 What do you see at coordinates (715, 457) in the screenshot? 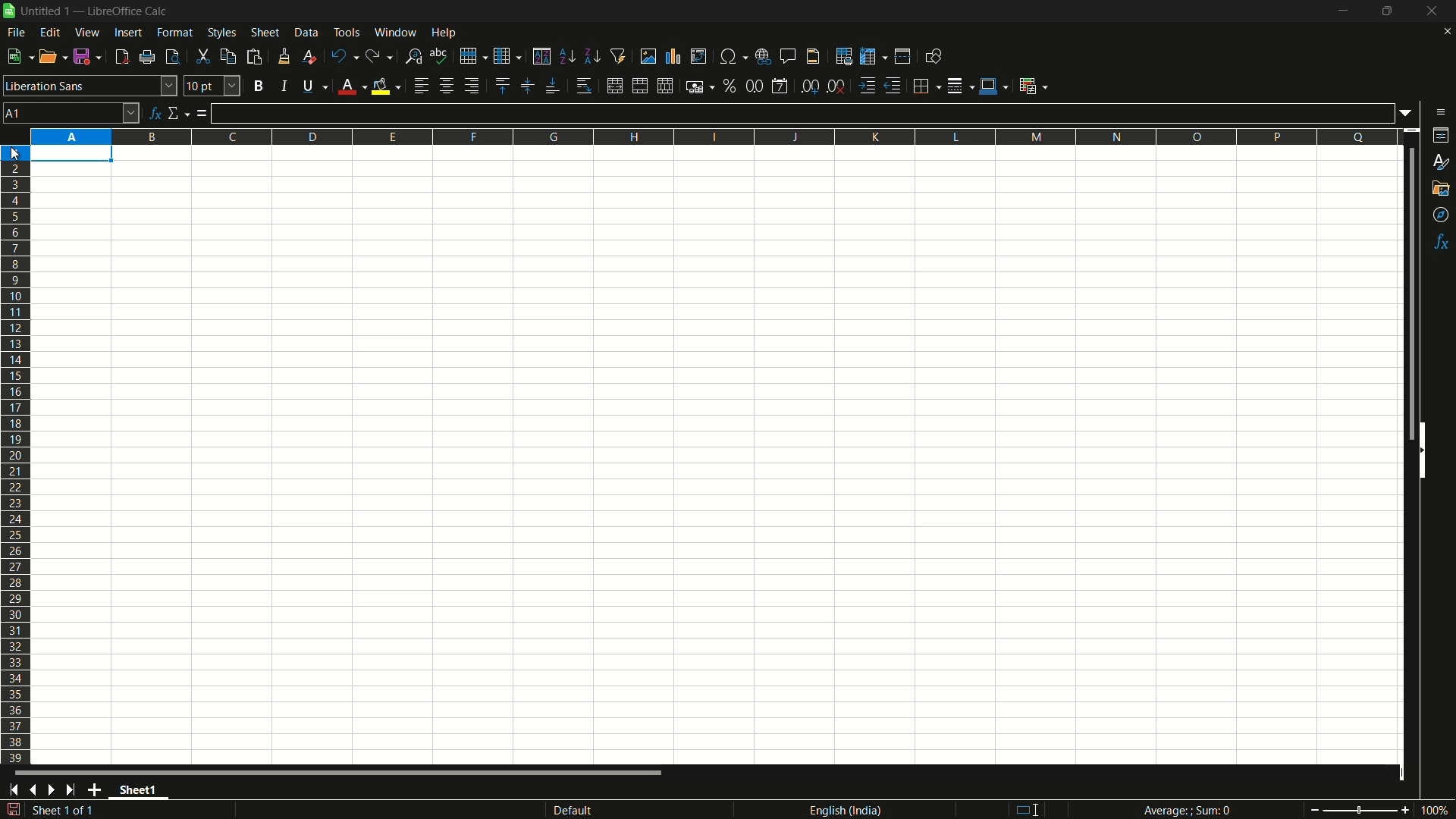
I see `workspace` at bounding box center [715, 457].